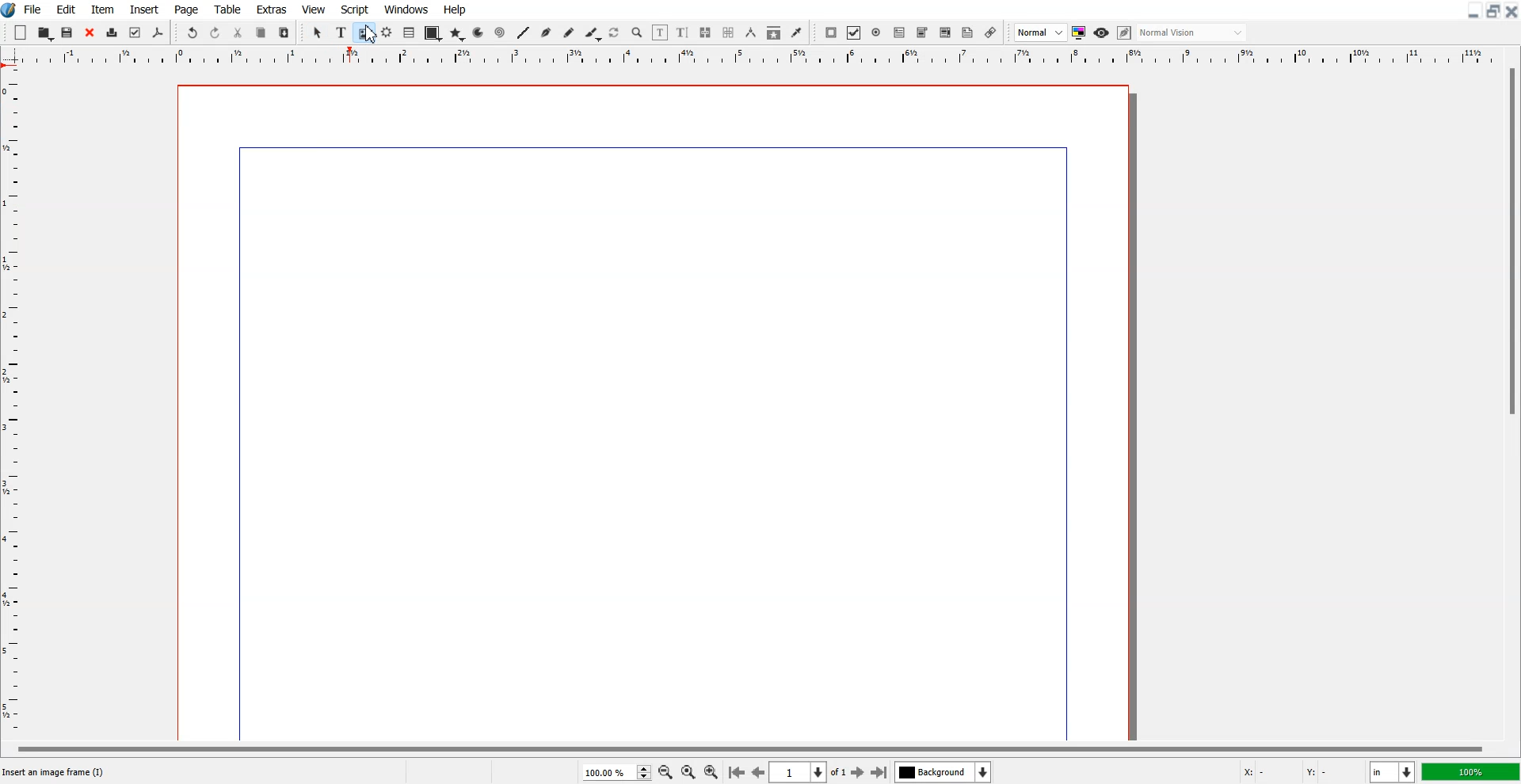 The height and width of the screenshot is (784, 1521). What do you see at coordinates (1470, 771) in the screenshot?
I see `100%` at bounding box center [1470, 771].